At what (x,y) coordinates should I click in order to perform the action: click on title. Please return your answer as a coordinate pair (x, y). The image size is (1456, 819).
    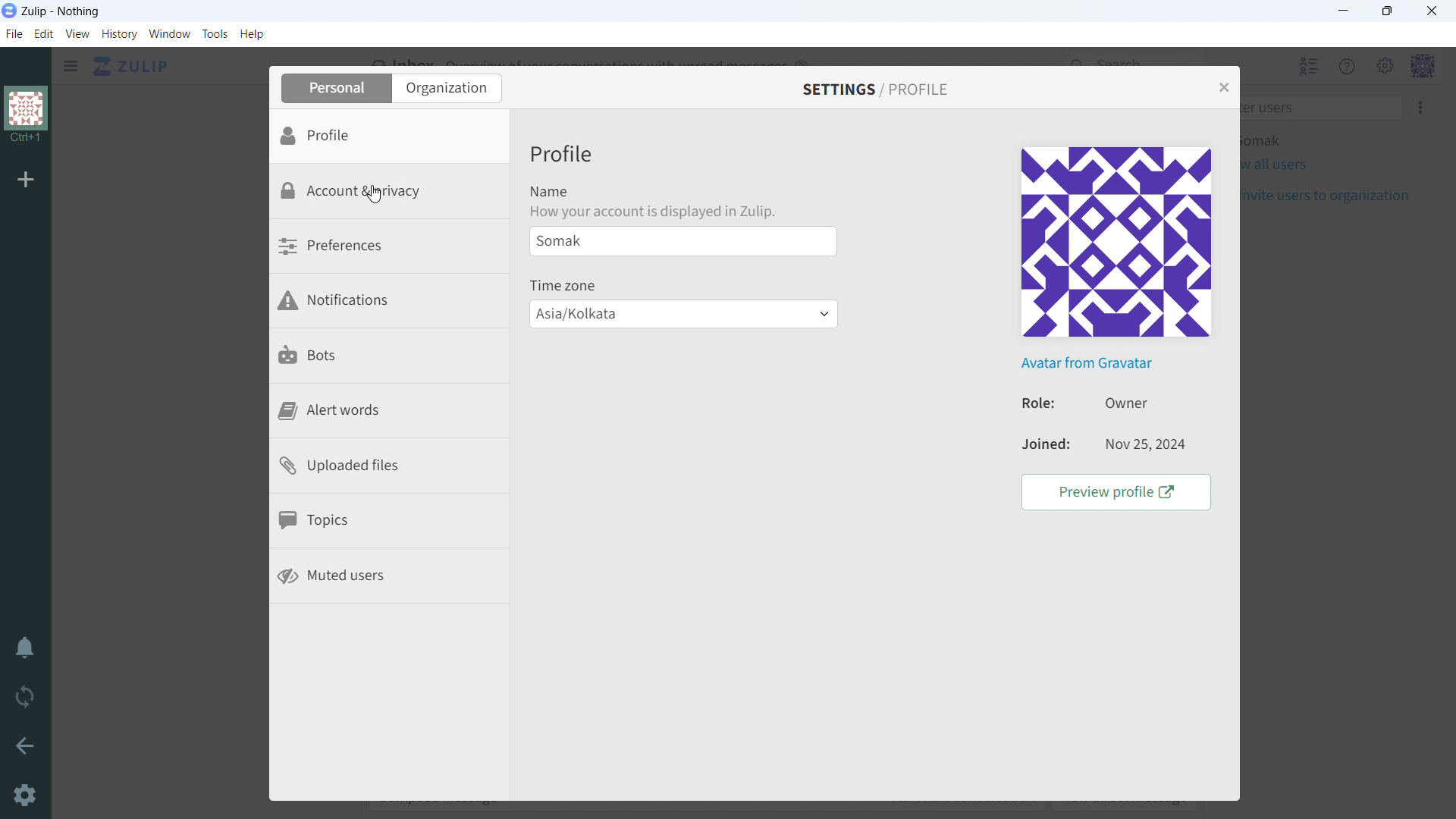
    Looking at the image, I should click on (61, 11).